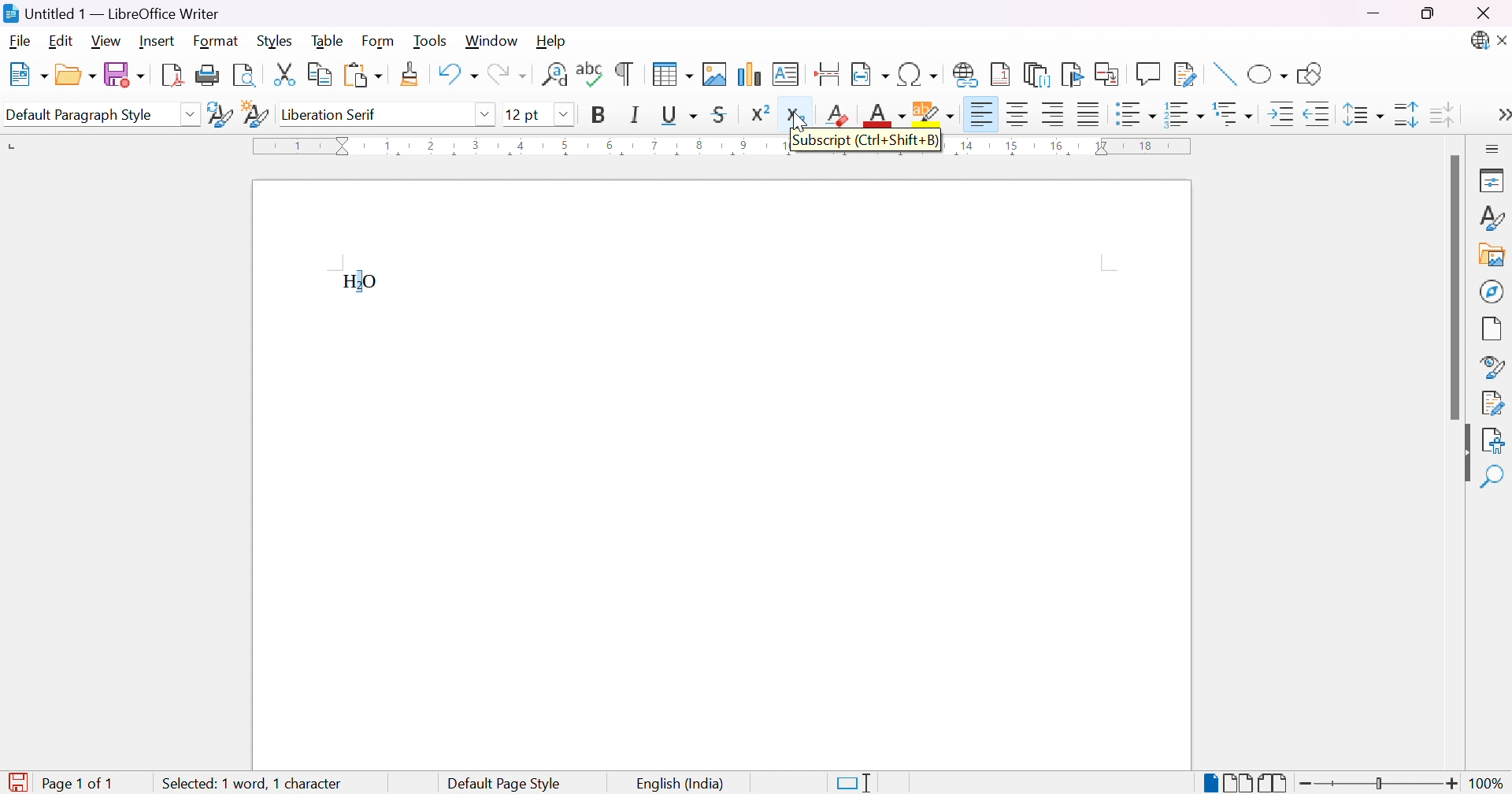  What do you see at coordinates (598, 114) in the screenshot?
I see `Bold` at bounding box center [598, 114].